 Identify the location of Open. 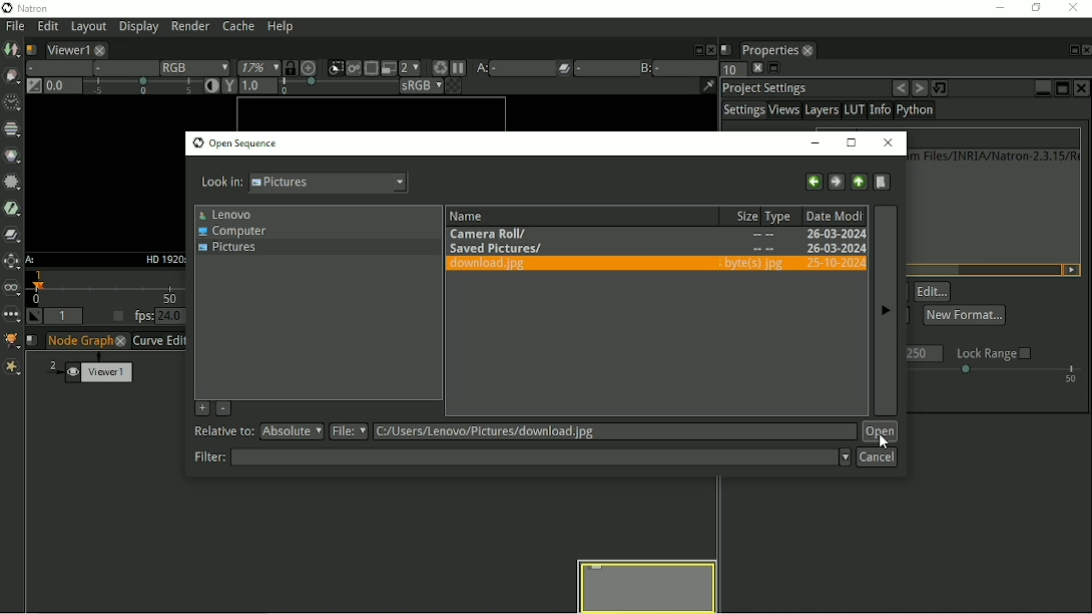
(880, 432).